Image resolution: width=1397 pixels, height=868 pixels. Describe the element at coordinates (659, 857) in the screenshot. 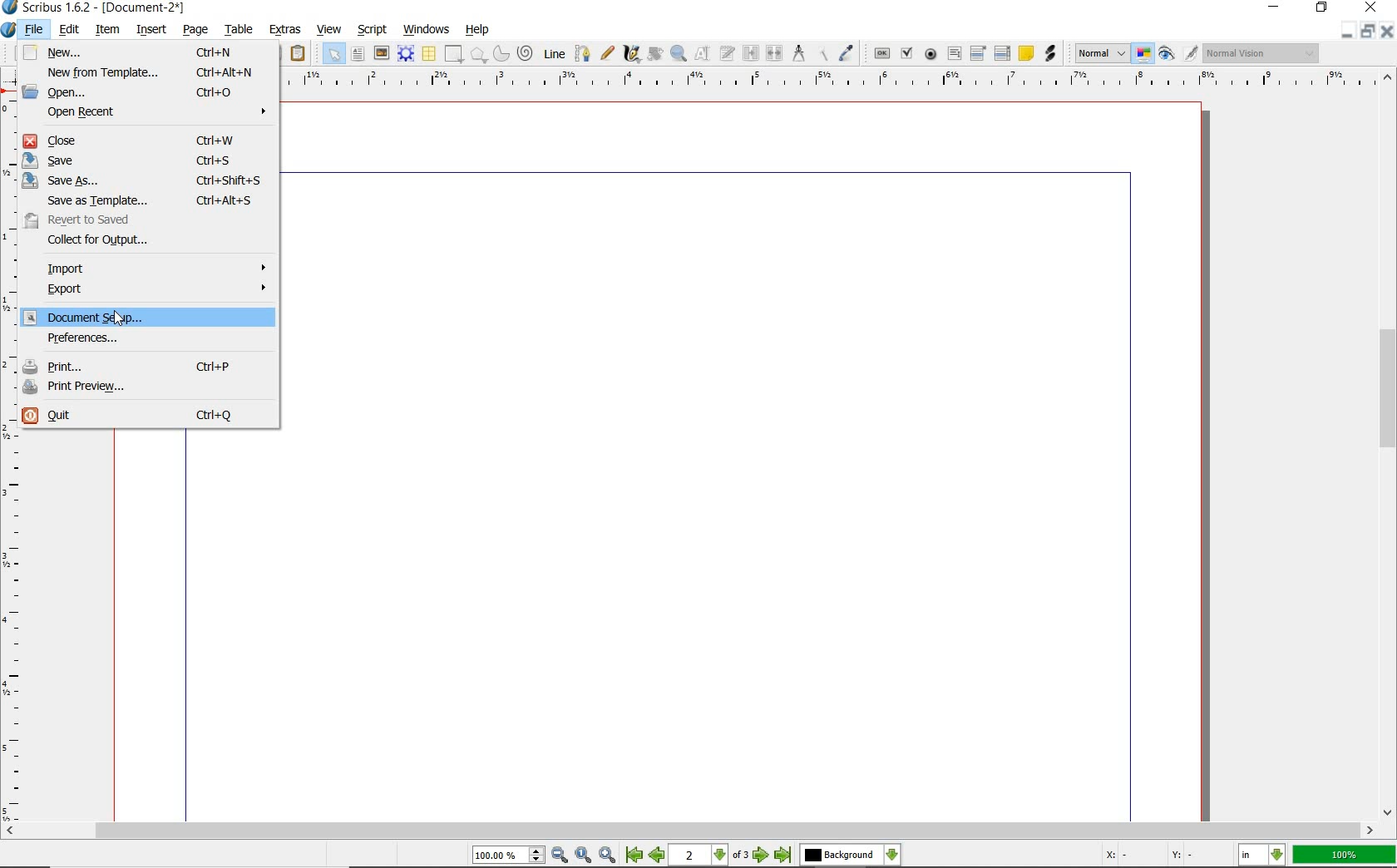

I see `Previous Page` at that location.